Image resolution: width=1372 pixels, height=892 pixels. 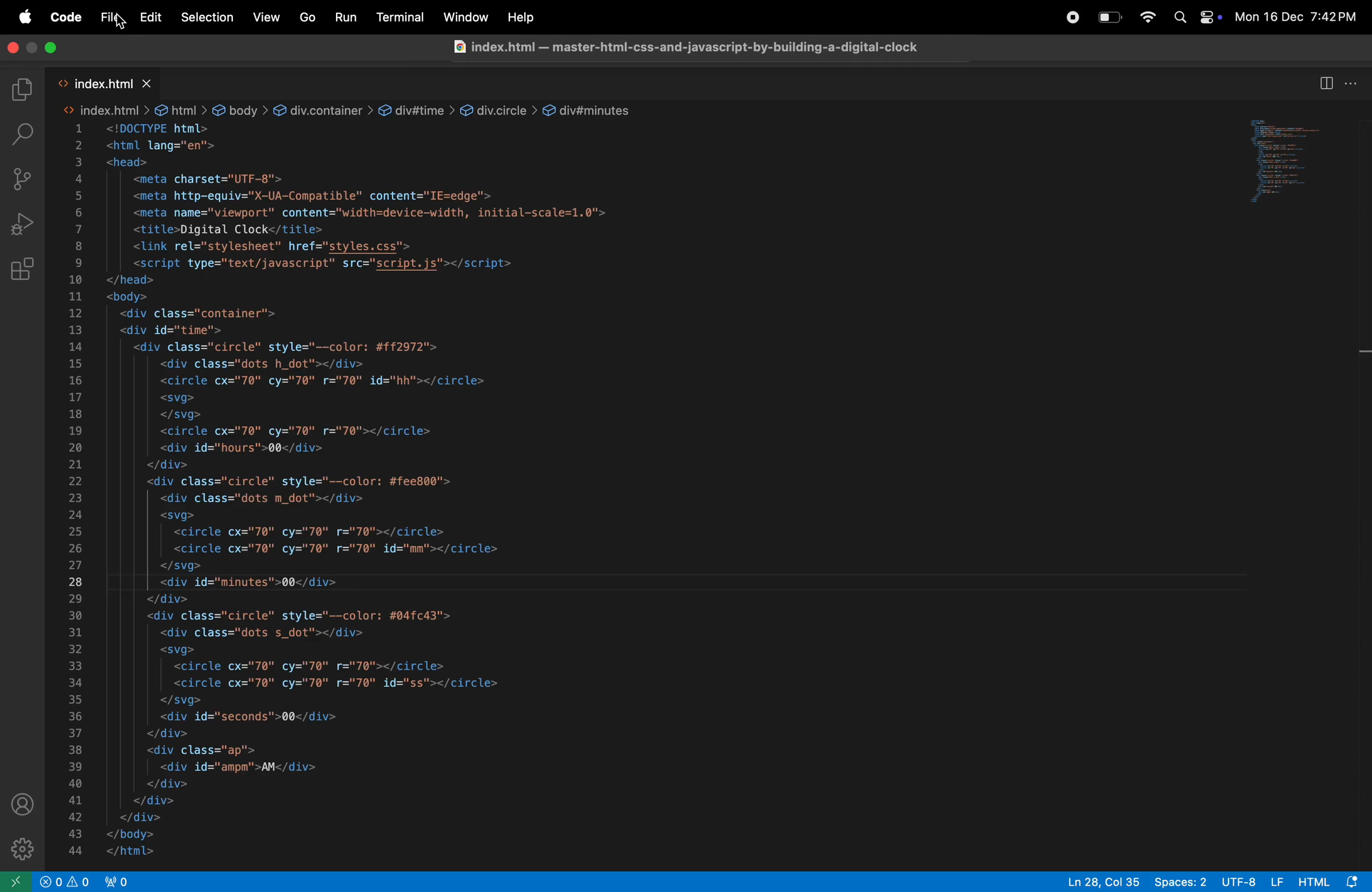 What do you see at coordinates (1099, 881) in the screenshot?
I see `line 28 col 35` at bounding box center [1099, 881].